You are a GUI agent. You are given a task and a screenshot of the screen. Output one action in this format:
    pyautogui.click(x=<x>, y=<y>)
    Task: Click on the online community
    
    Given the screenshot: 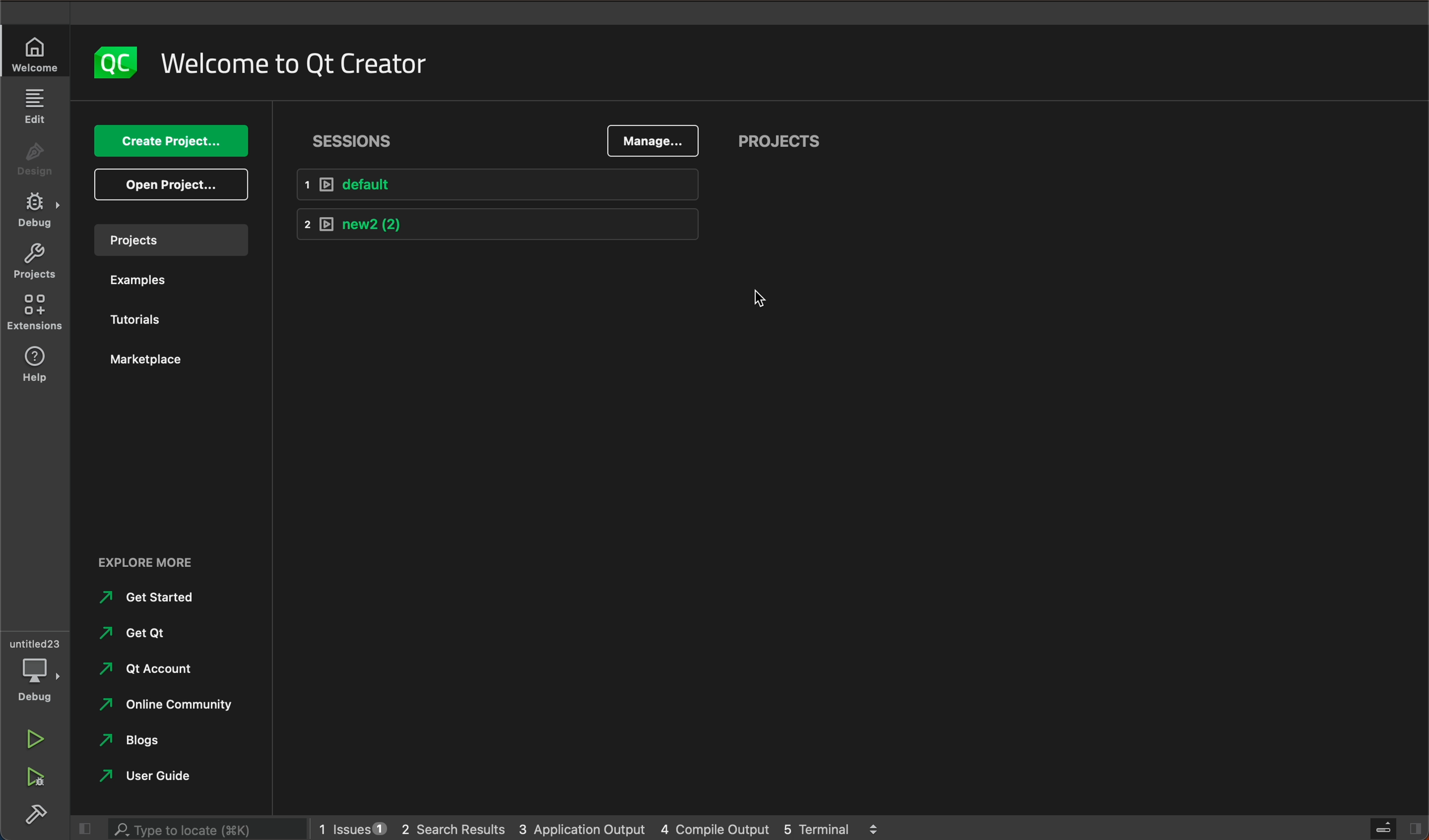 What is the action you would take?
    pyautogui.click(x=172, y=703)
    